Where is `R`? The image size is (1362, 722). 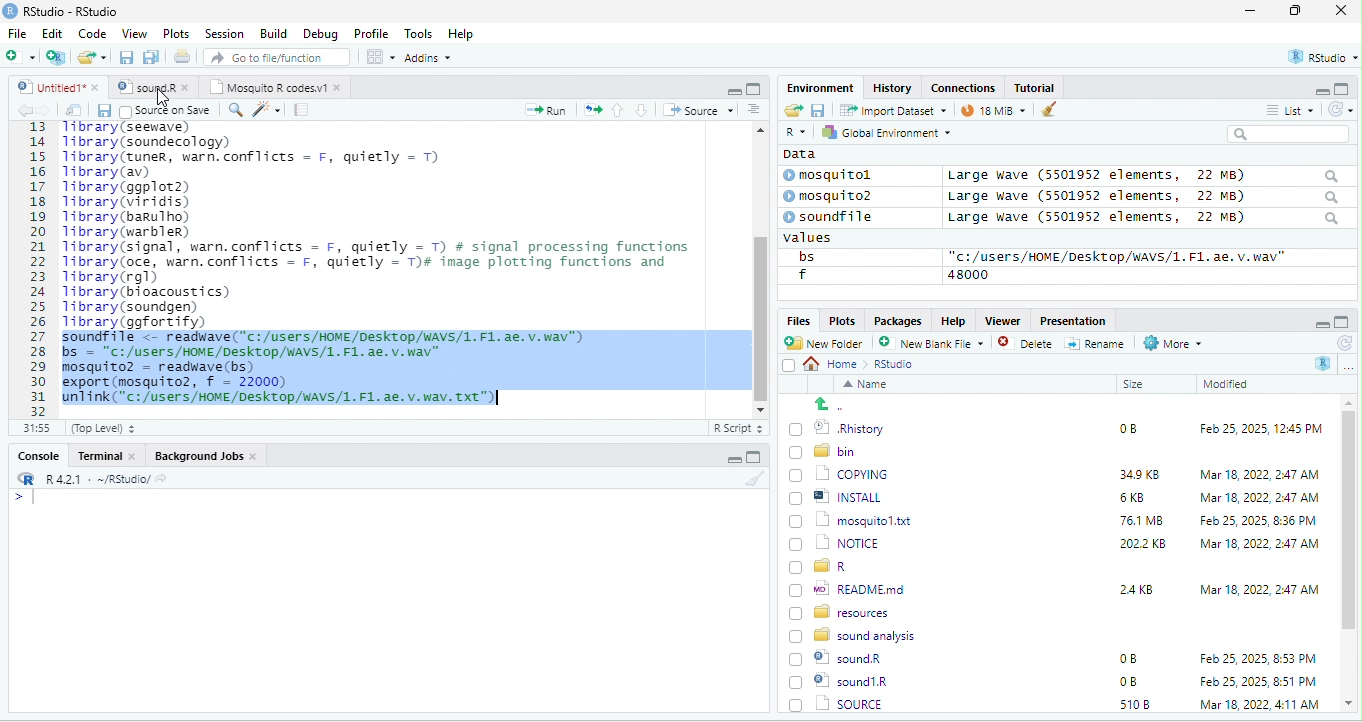 R is located at coordinates (1324, 363).